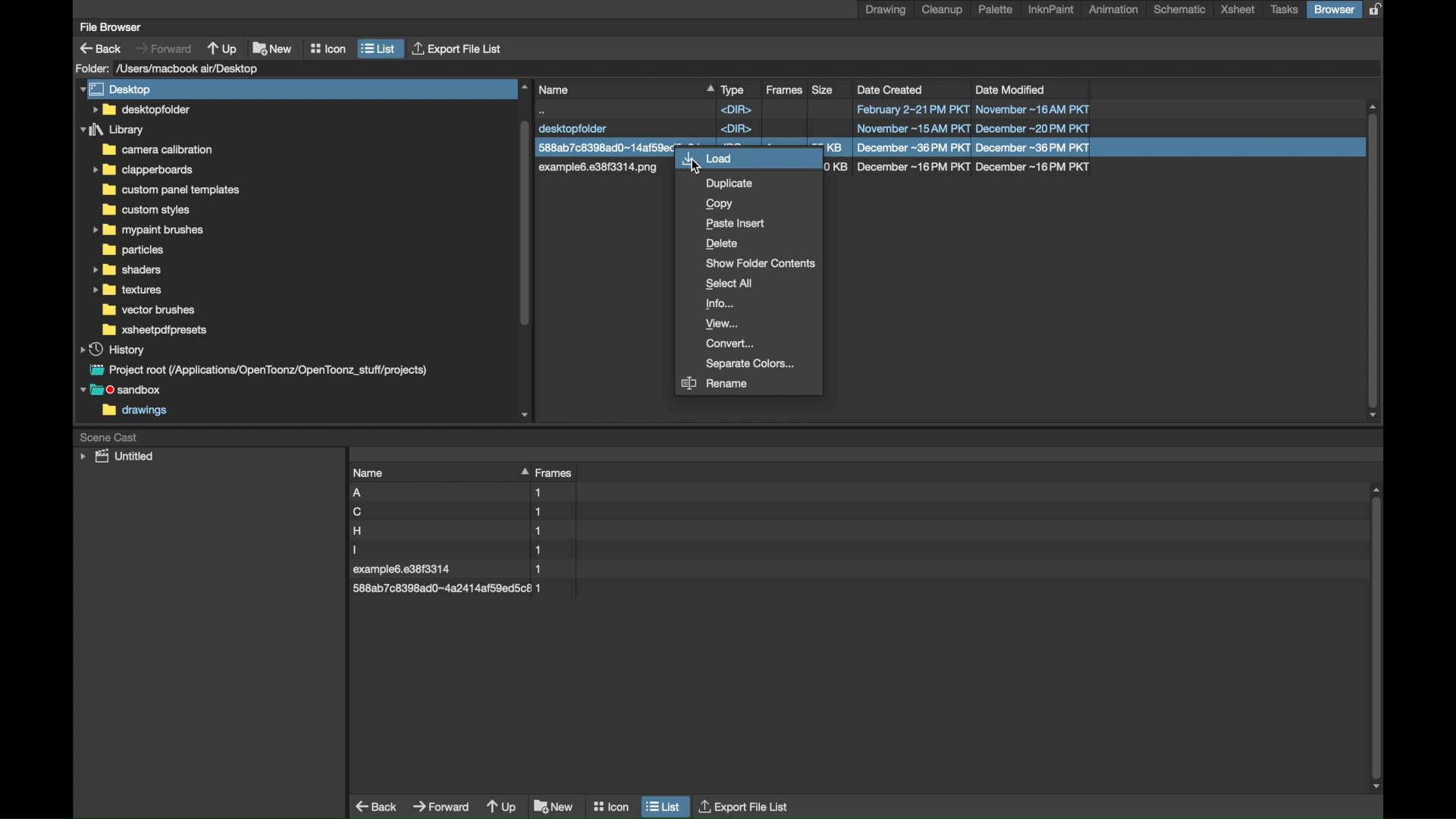 This screenshot has height=819, width=1456. I want to click on file details, so click(960, 148).